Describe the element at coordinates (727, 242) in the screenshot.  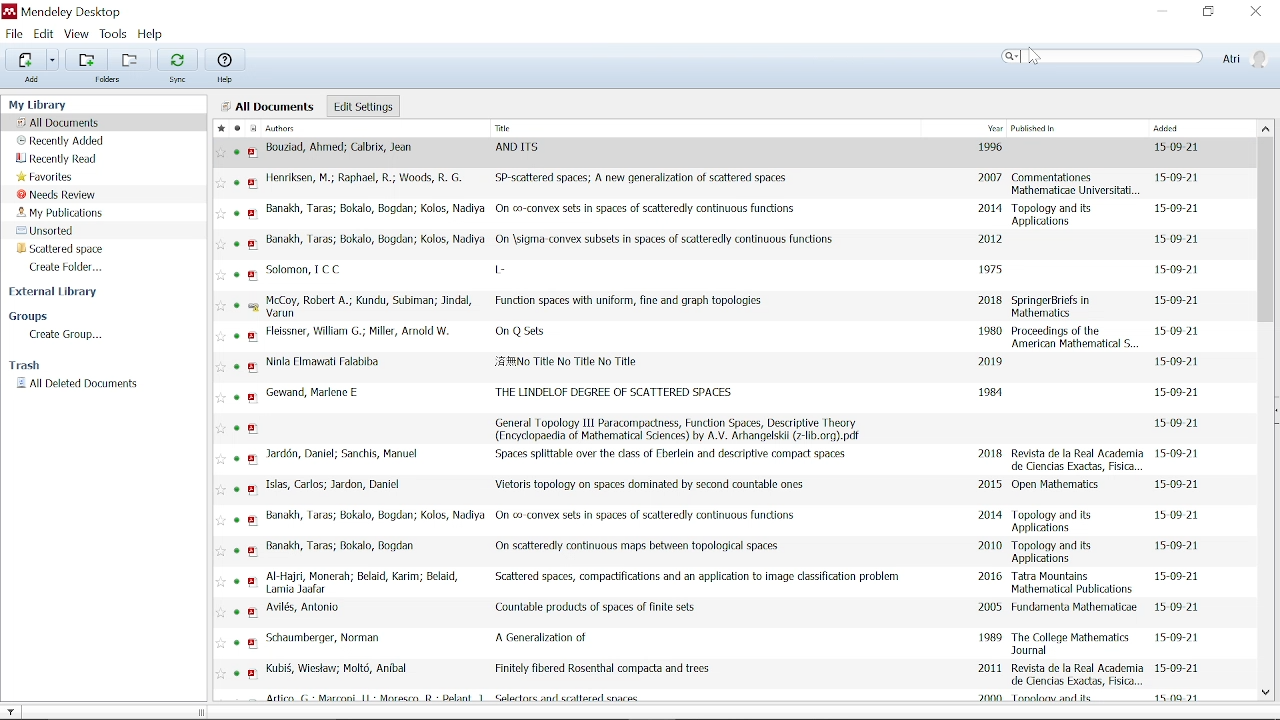
I see `Banakh, Taras; Bokalo, Bogdan; Kolos, Nadiya On \sigma convex subsets in spaces of scatteredly continuous functions 2012 15-09-21` at that location.